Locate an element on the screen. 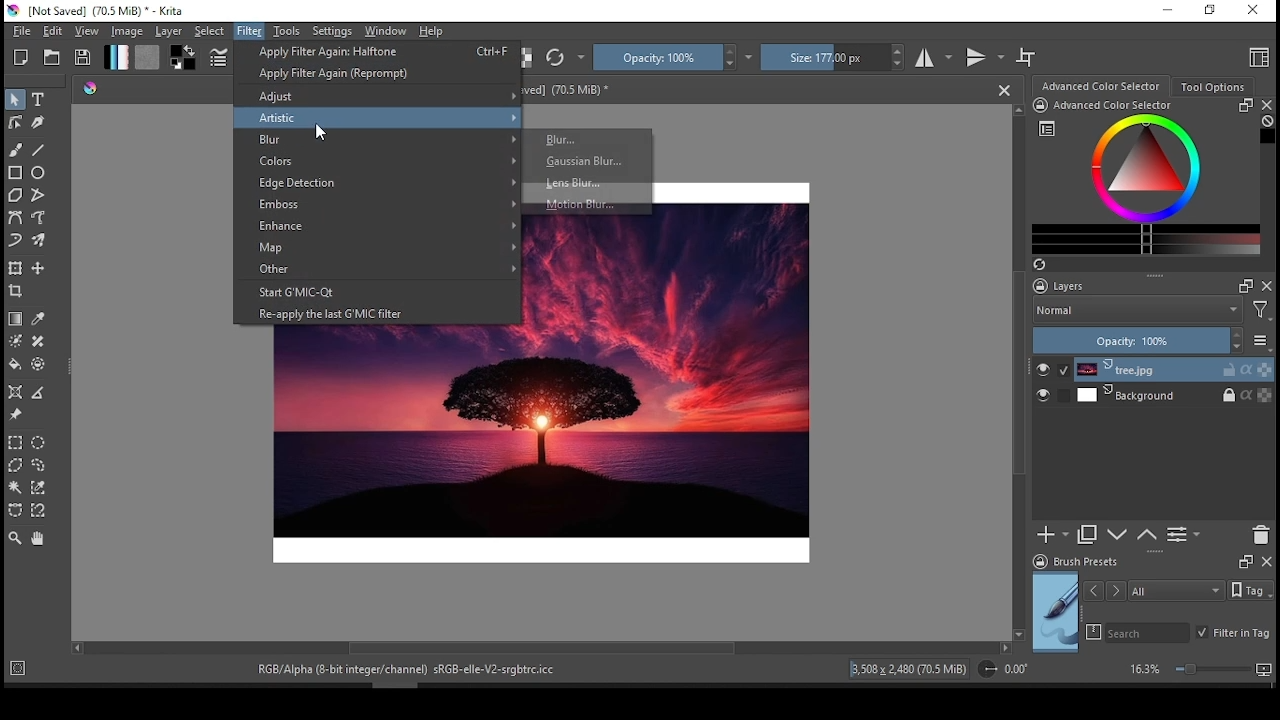 The height and width of the screenshot is (720, 1280). edit brush settings is located at coordinates (219, 56).